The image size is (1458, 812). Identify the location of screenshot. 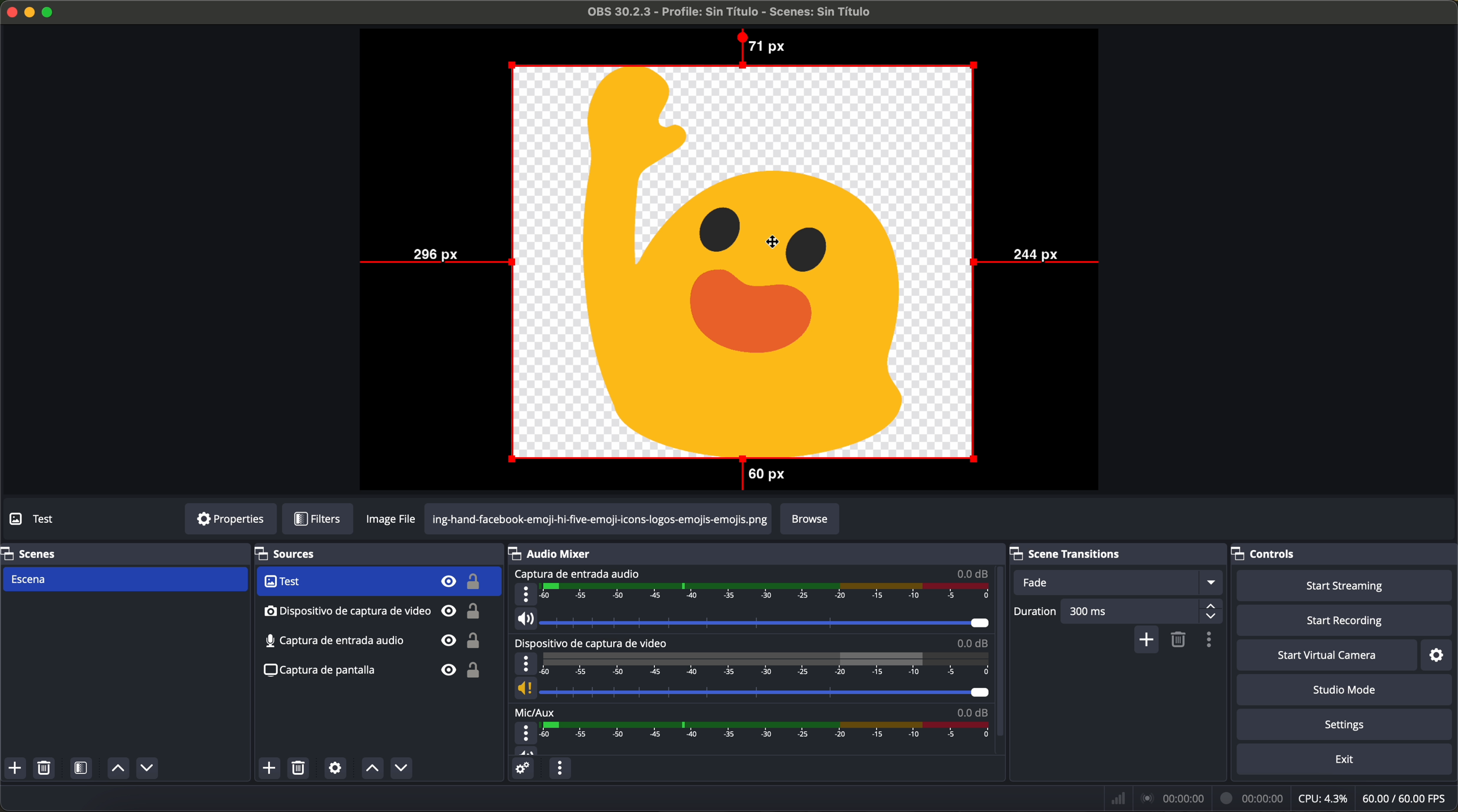
(371, 642).